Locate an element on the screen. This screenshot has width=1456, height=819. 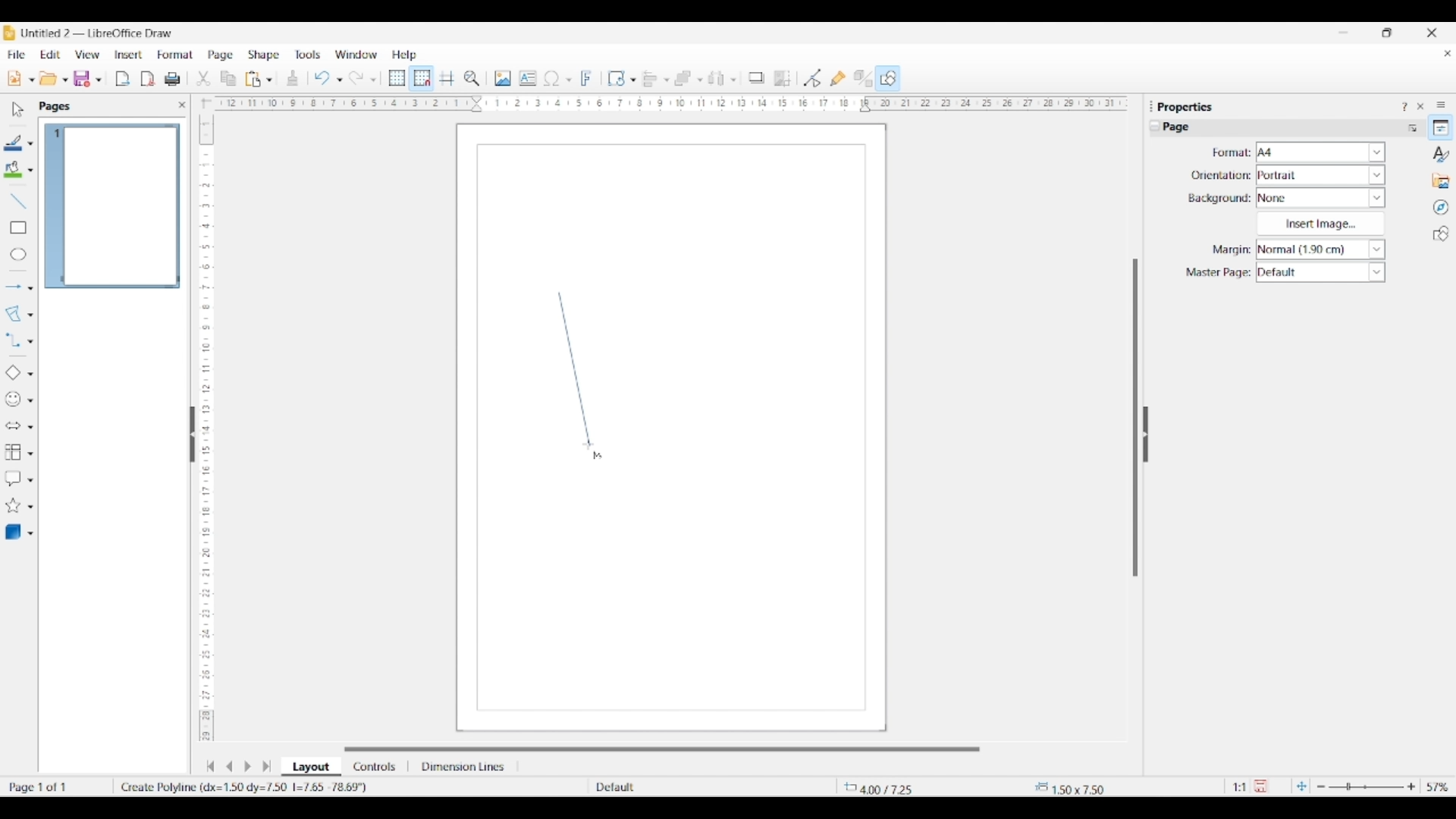
Arrange objects options is located at coordinates (700, 80).